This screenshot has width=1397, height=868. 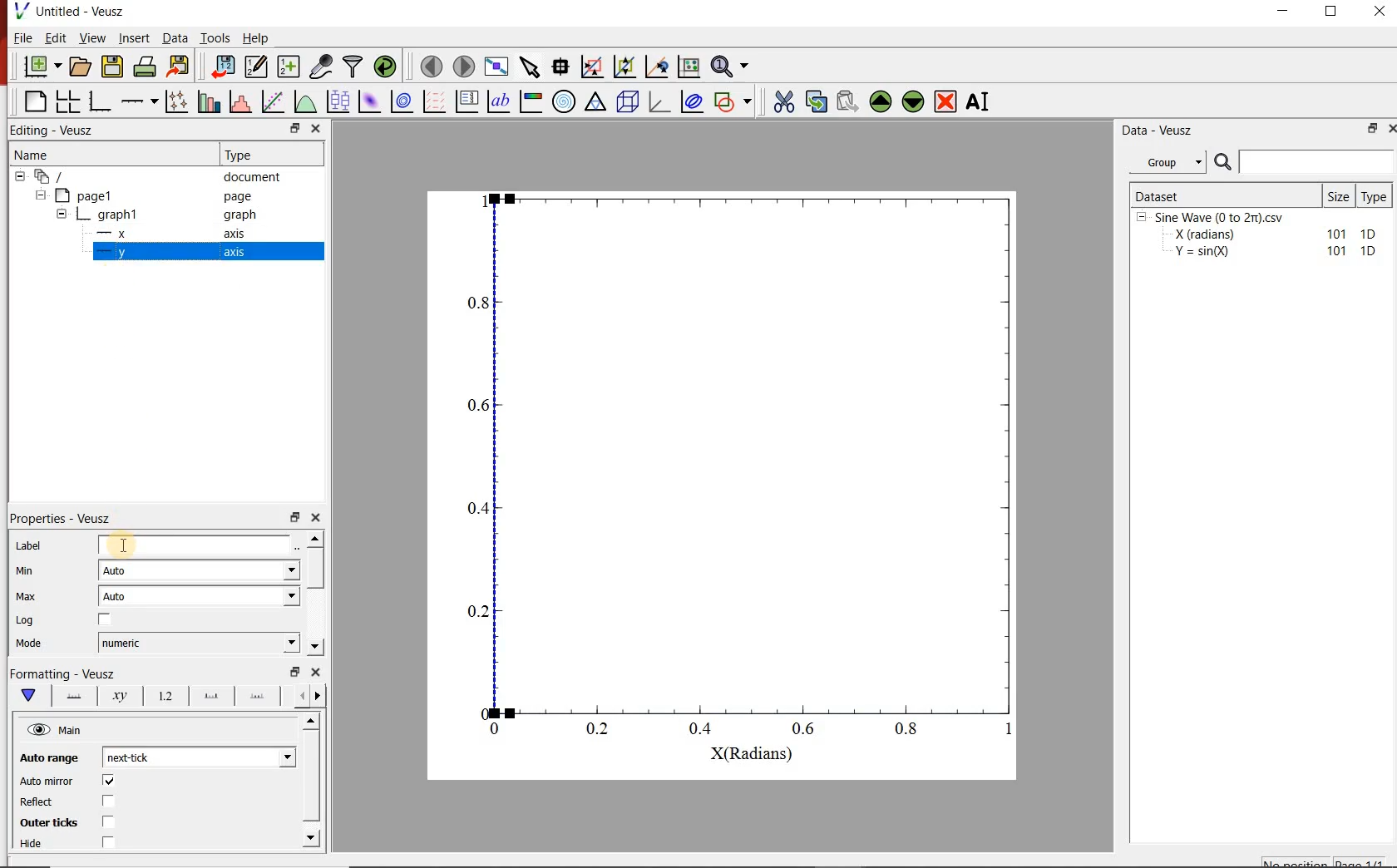 What do you see at coordinates (199, 596) in the screenshot?
I see `Auto` at bounding box center [199, 596].